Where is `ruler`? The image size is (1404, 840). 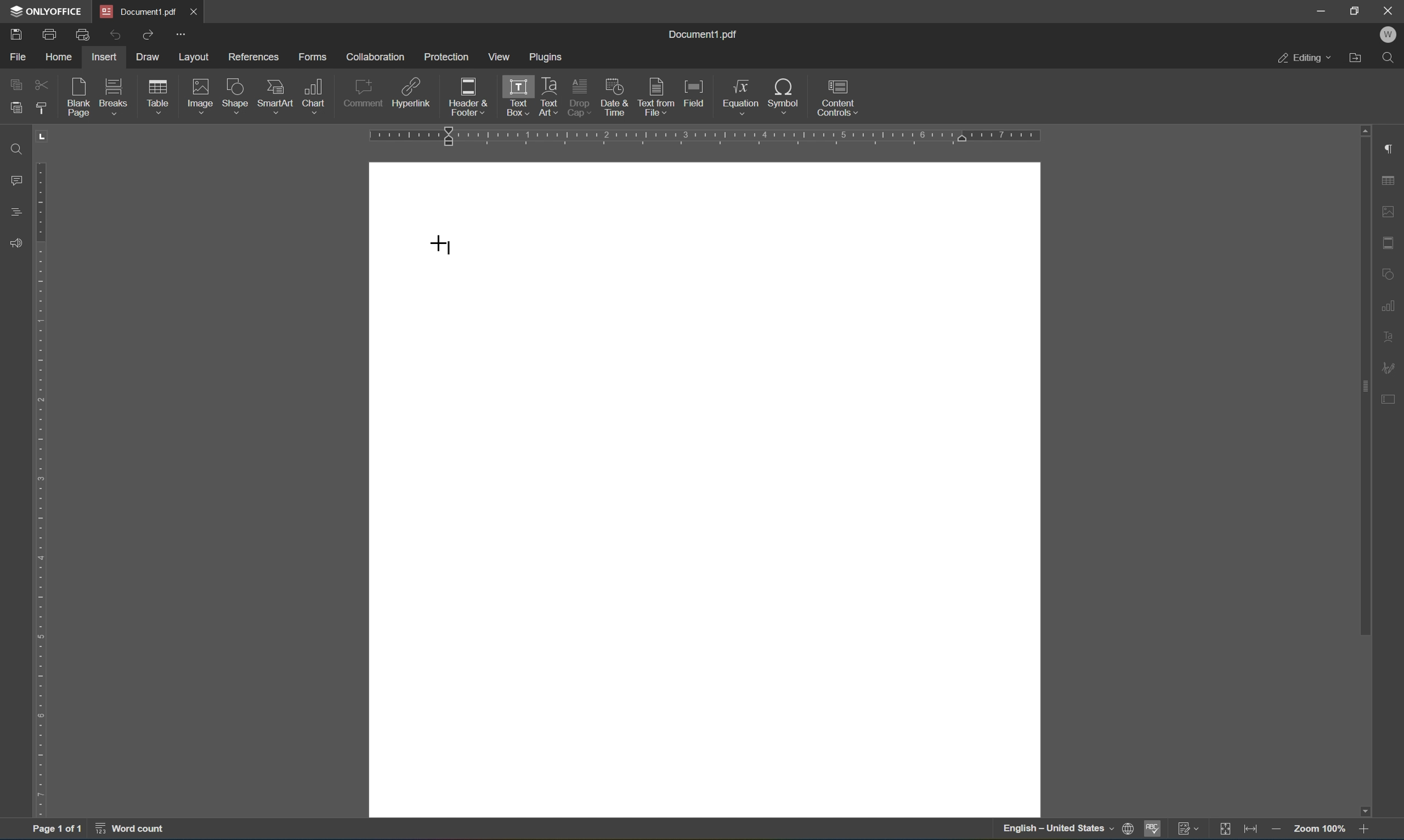
ruler is located at coordinates (41, 470).